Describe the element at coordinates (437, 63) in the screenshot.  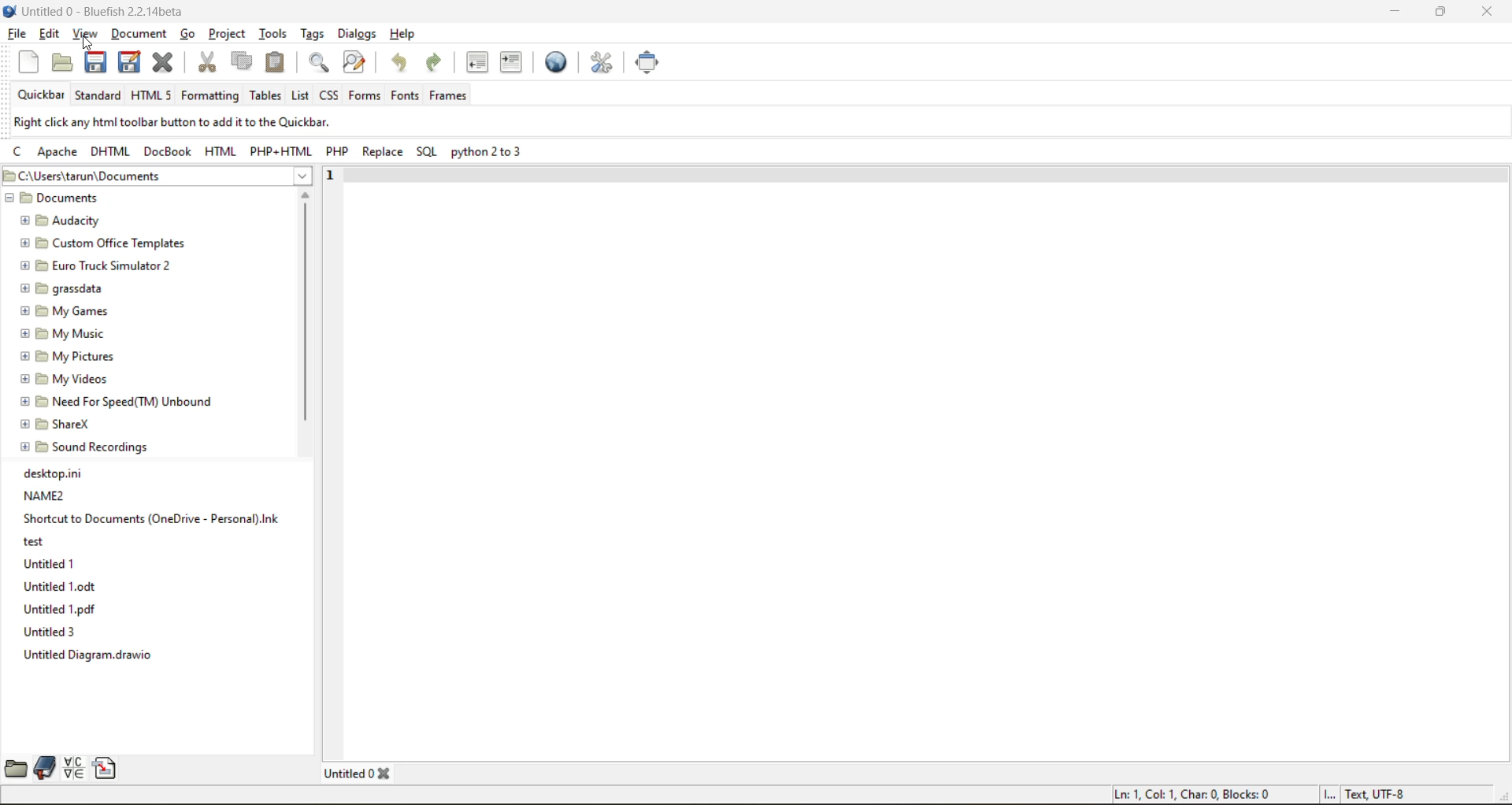
I see `redo` at that location.